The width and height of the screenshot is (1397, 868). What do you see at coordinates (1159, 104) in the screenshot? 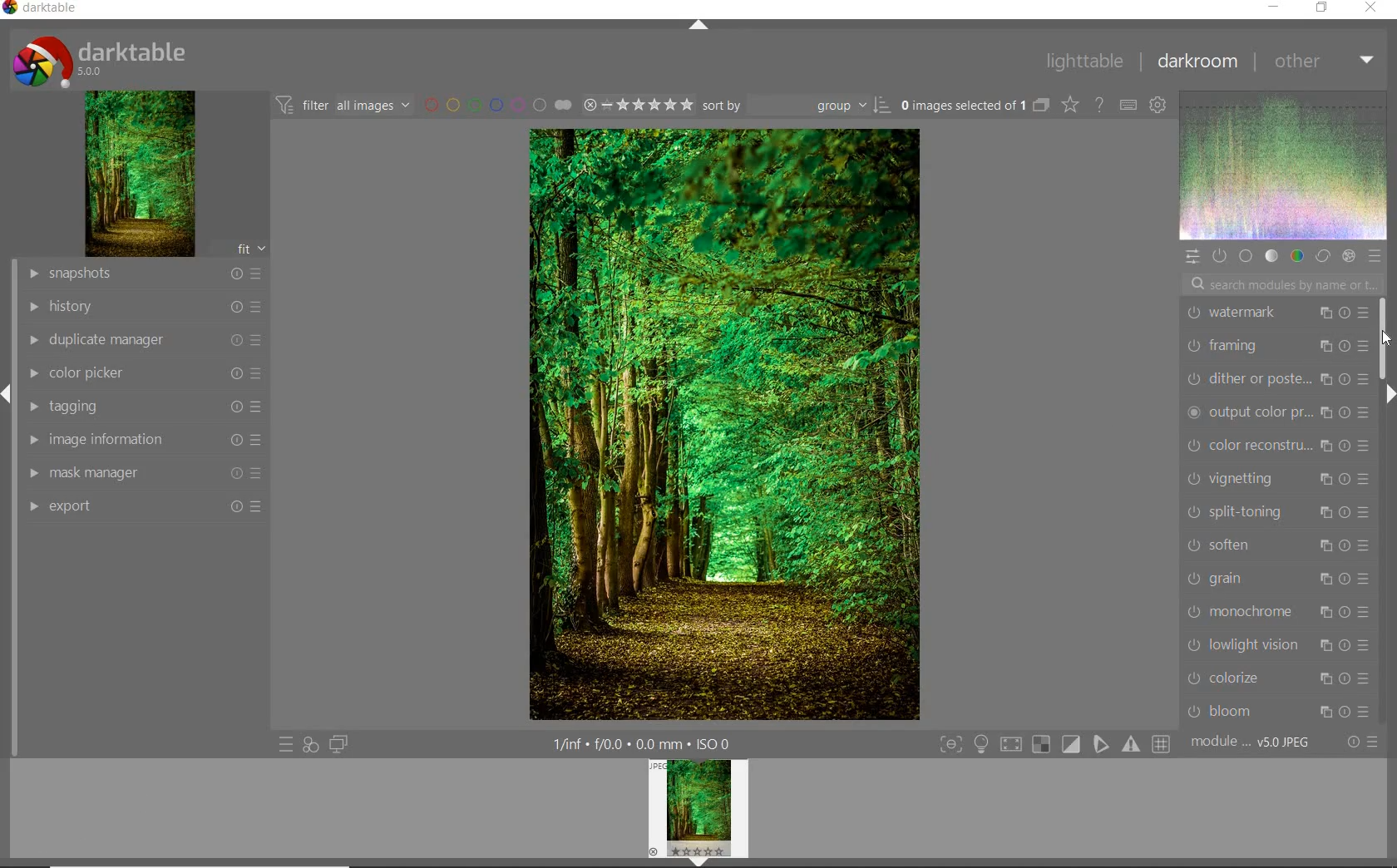
I see `SHOW GLOBAL PREFERENCE` at bounding box center [1159, 104].